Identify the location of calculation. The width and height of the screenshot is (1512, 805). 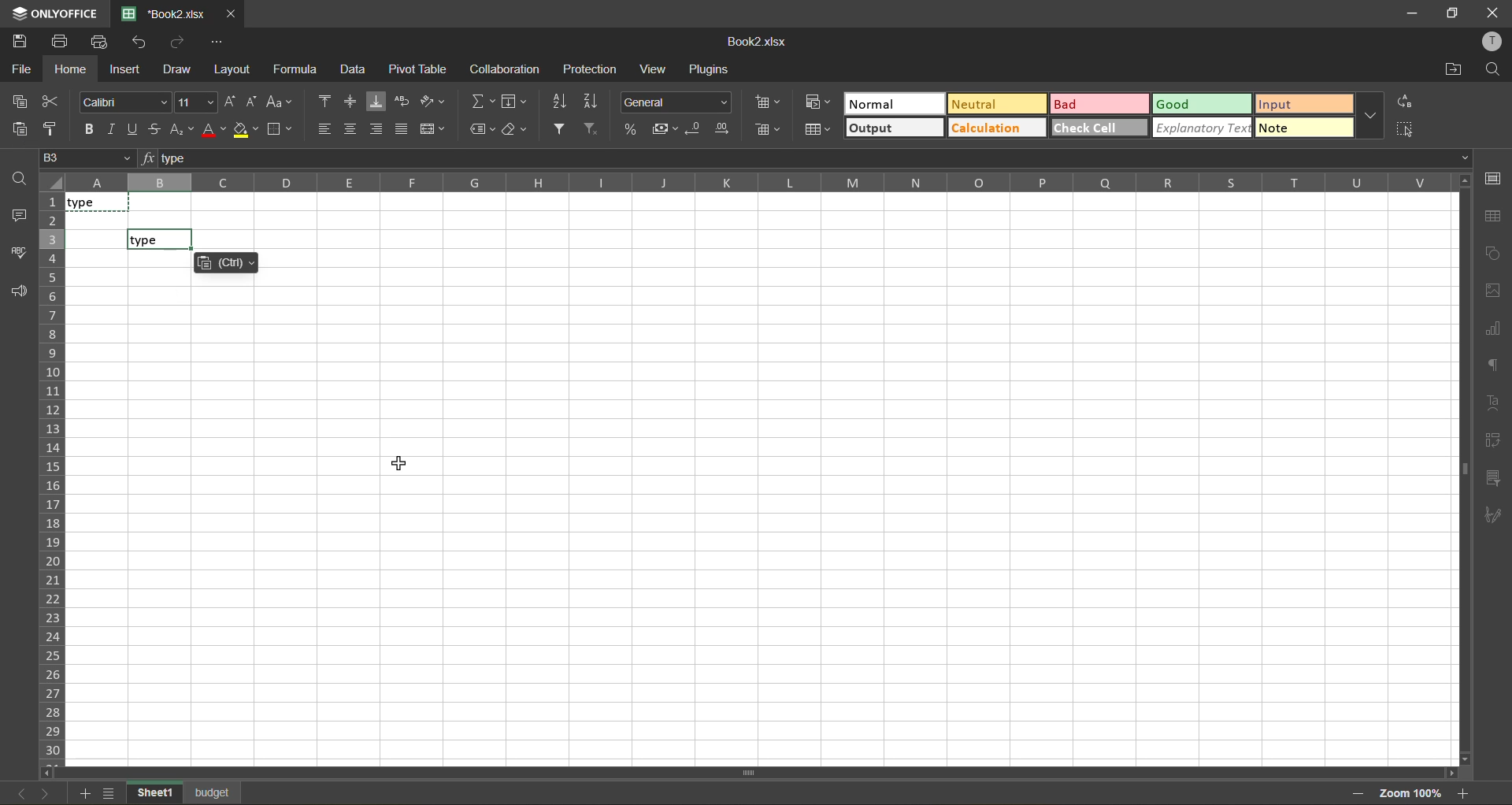
(994, 128).